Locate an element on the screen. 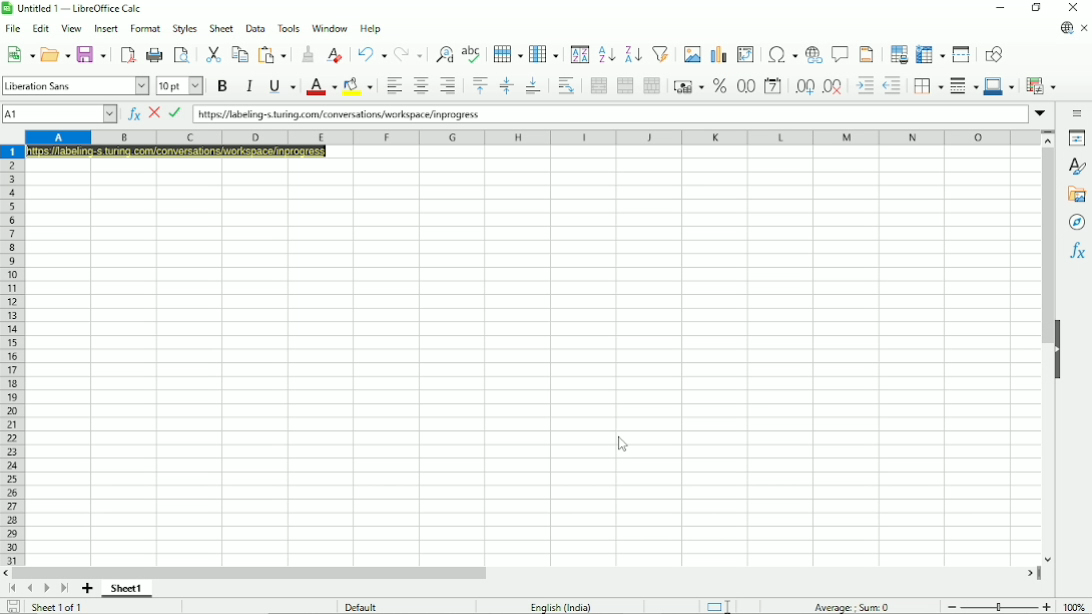  Scroll to previous page is located at coordinates (30, 588).